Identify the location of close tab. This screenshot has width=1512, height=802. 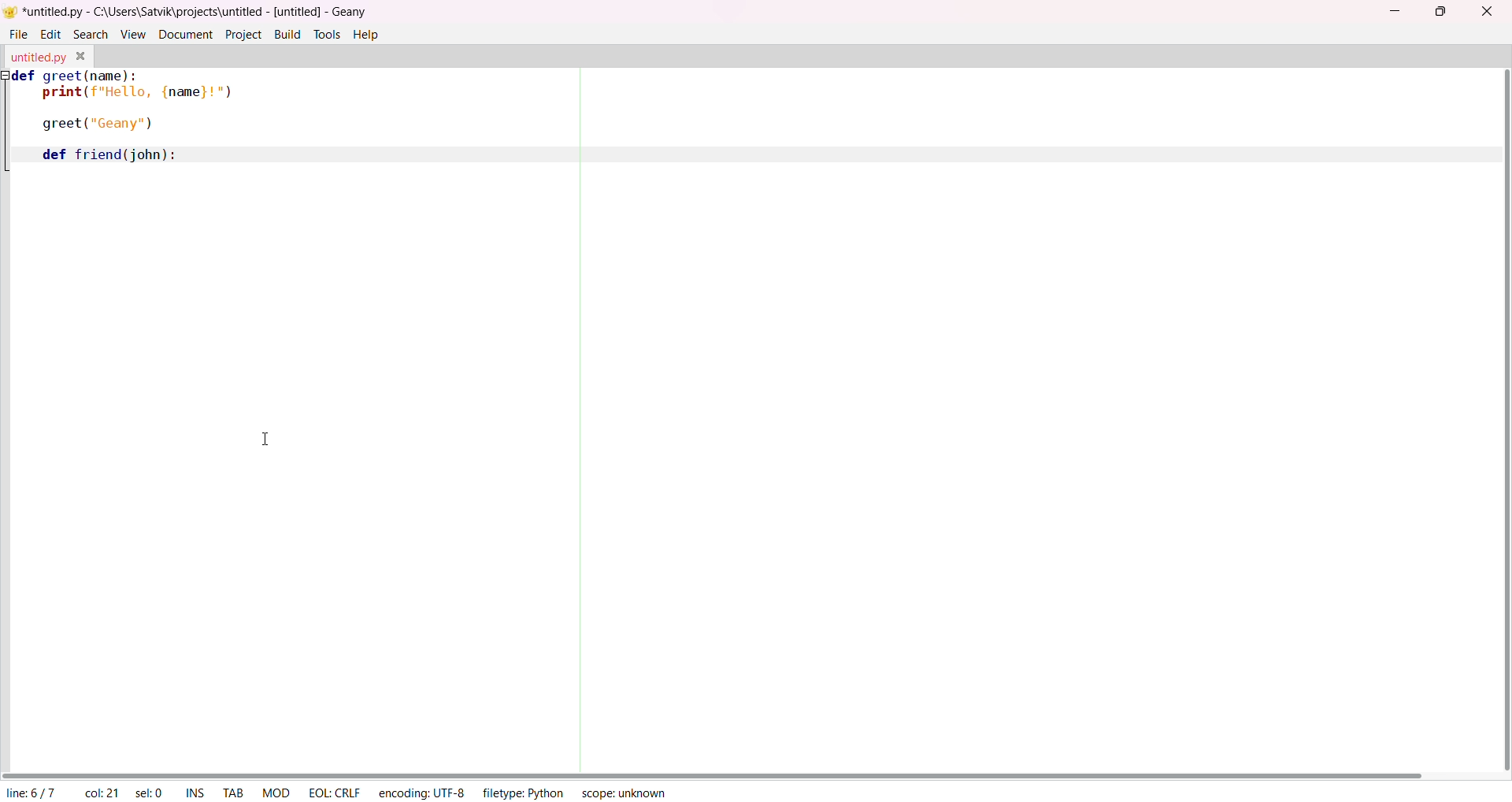
(80, 54).